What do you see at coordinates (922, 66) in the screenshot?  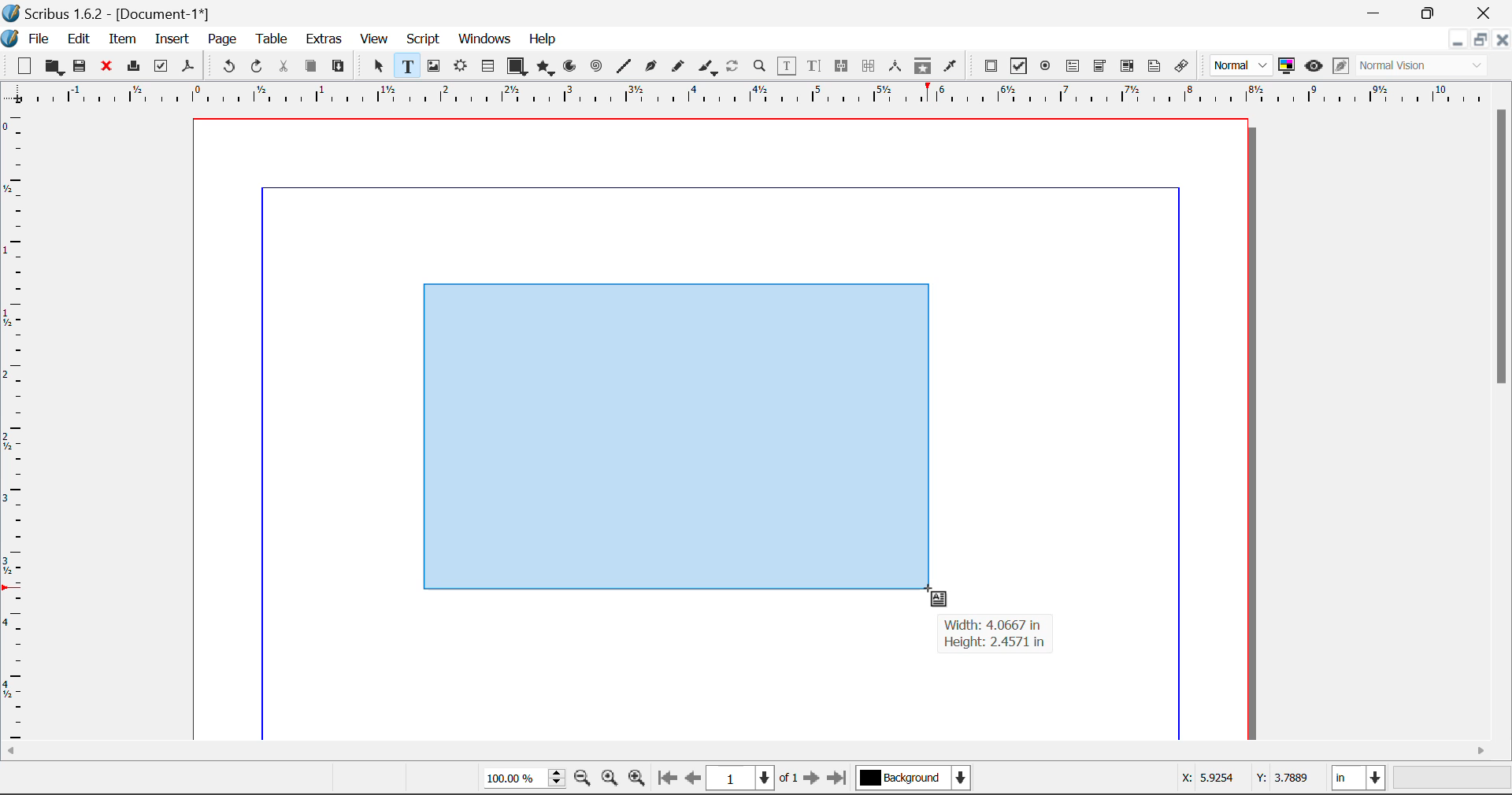 I see `Copy Item Properties` at bounding box center [922, 66].